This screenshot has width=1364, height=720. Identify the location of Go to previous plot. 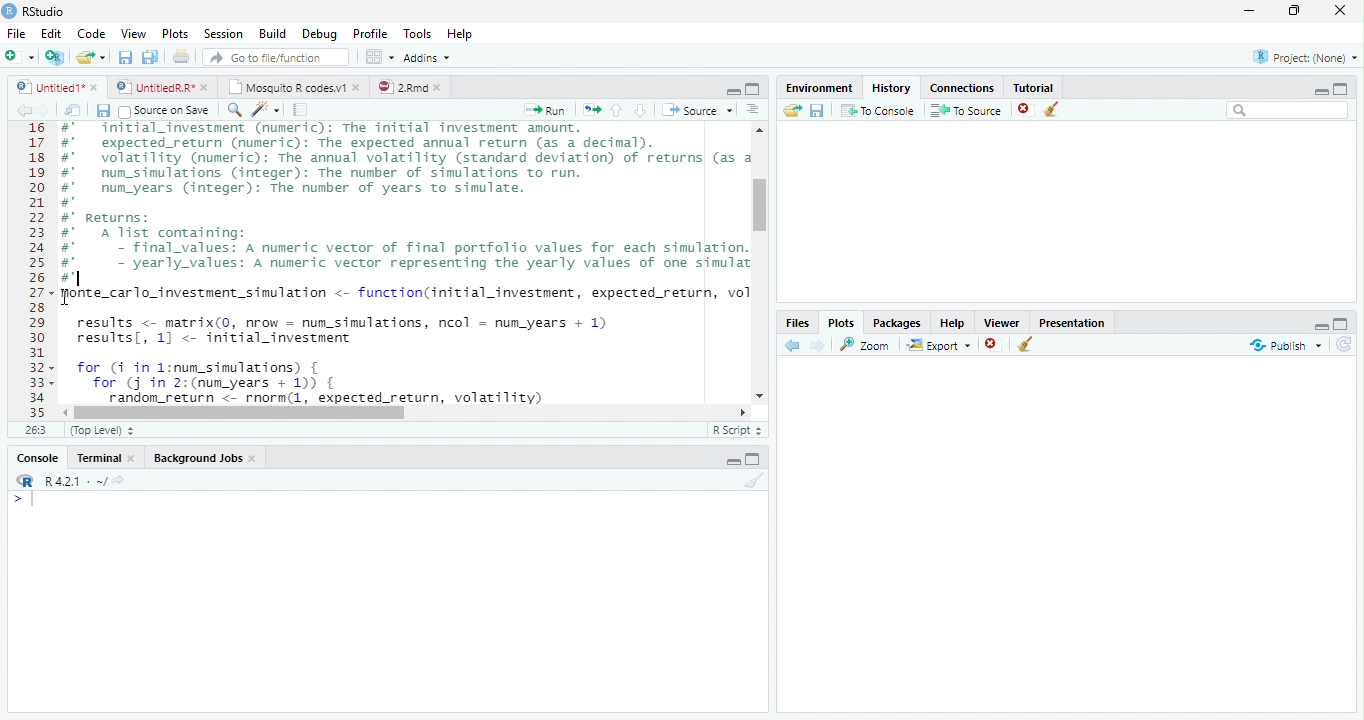
(793, 345).